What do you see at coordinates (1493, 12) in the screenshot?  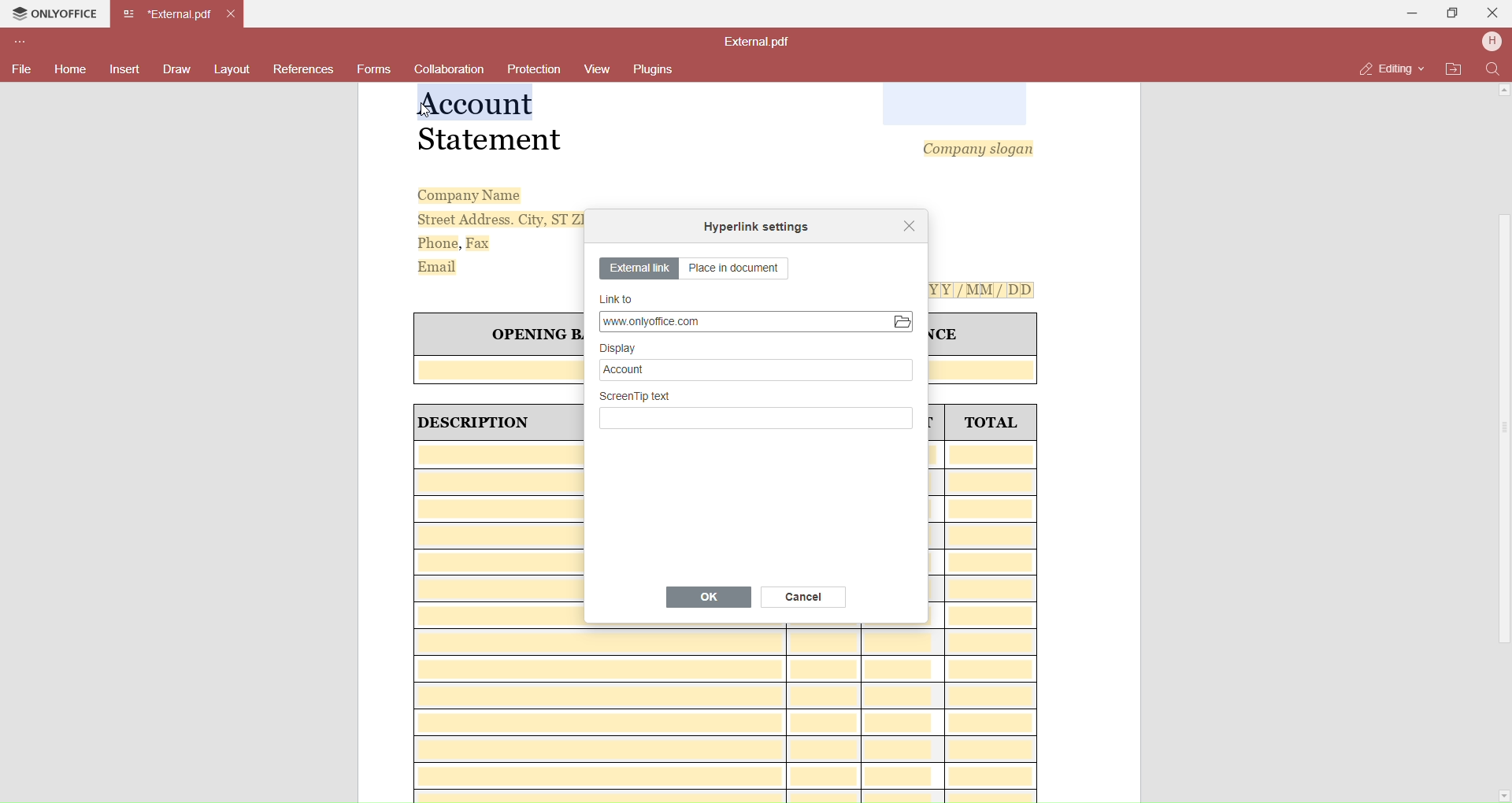 I see `Close` at bounding box center [1493, 12].